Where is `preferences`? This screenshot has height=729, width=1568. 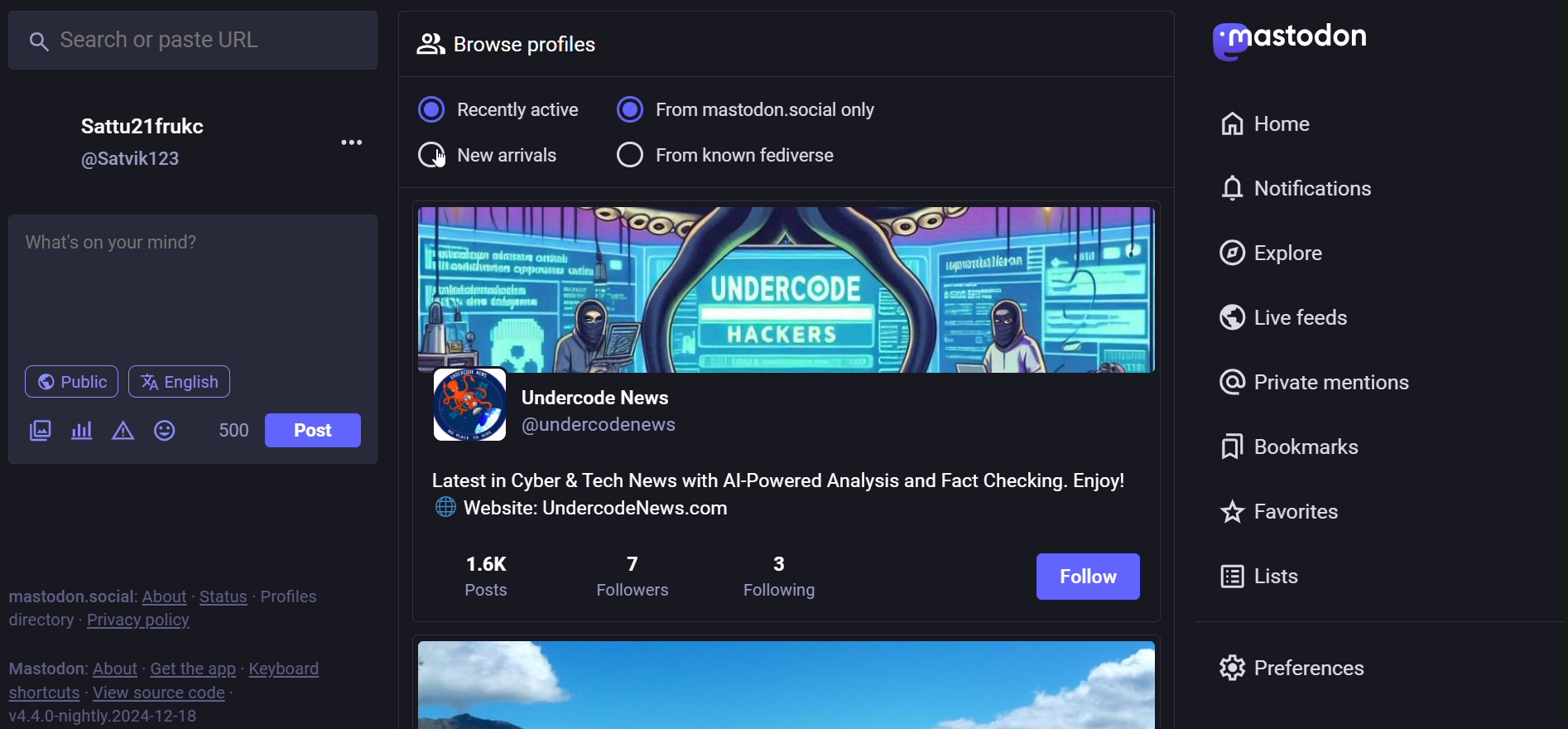 preferences is located at coordinates (1303, 664).